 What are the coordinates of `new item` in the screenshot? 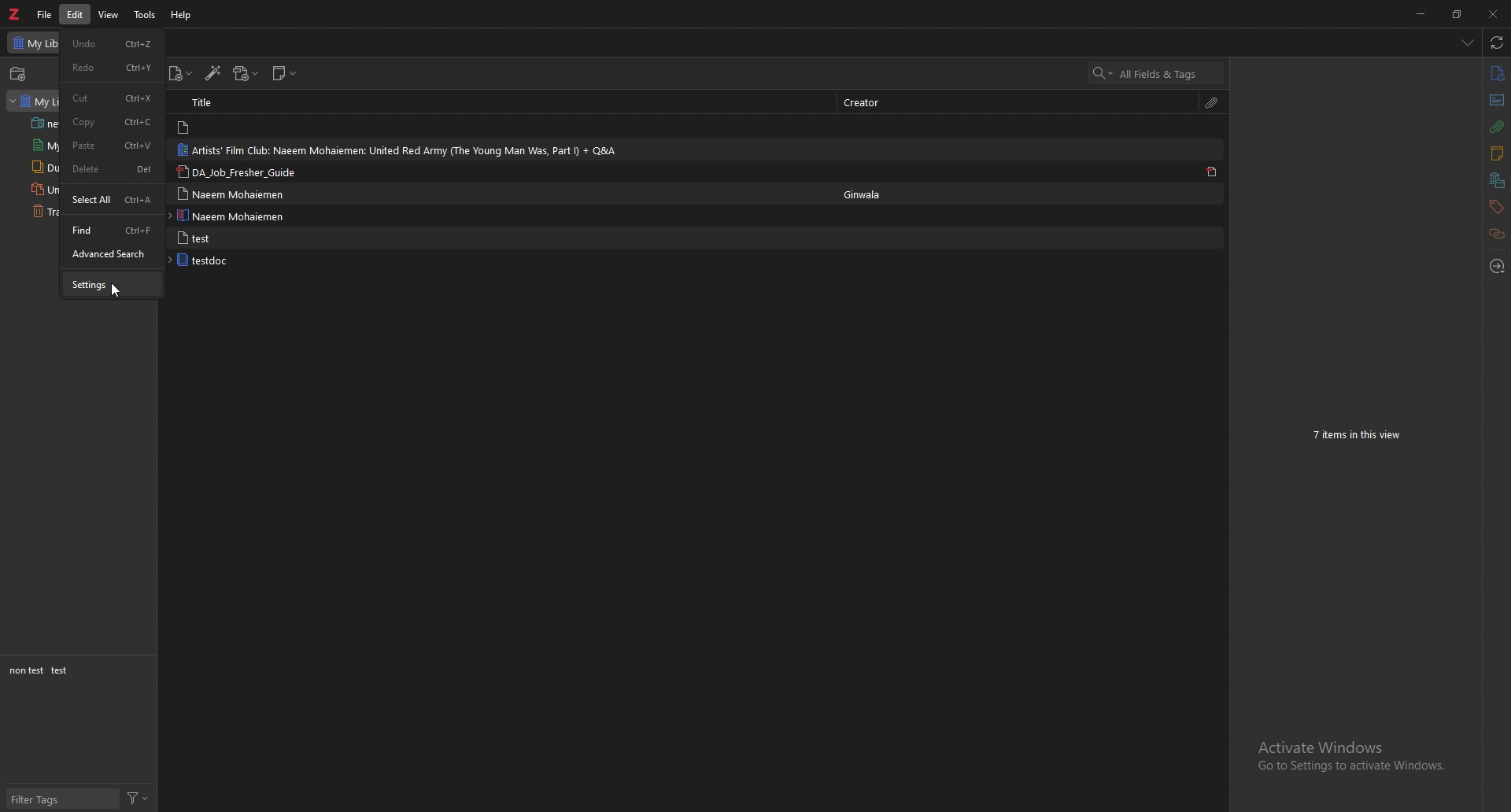 It's located at (181, 73).